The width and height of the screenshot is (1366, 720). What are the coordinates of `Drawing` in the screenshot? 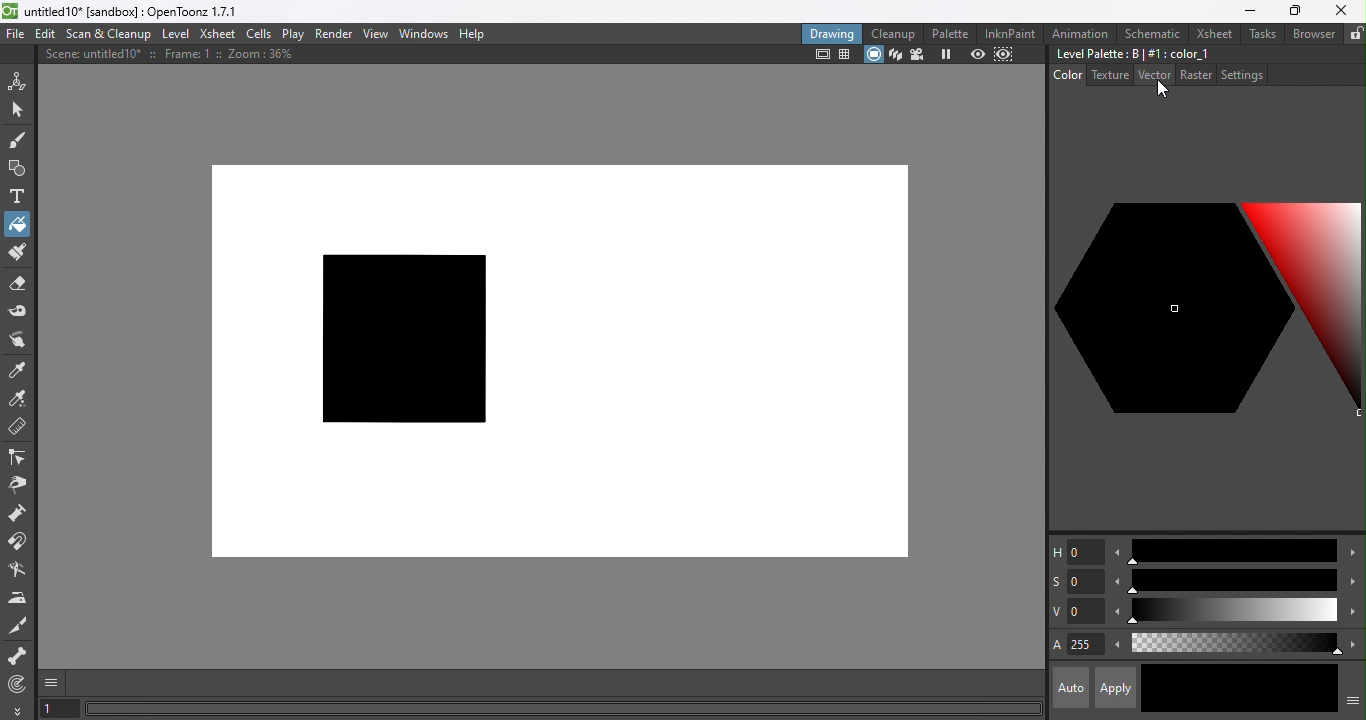 It's located at (832, 33).